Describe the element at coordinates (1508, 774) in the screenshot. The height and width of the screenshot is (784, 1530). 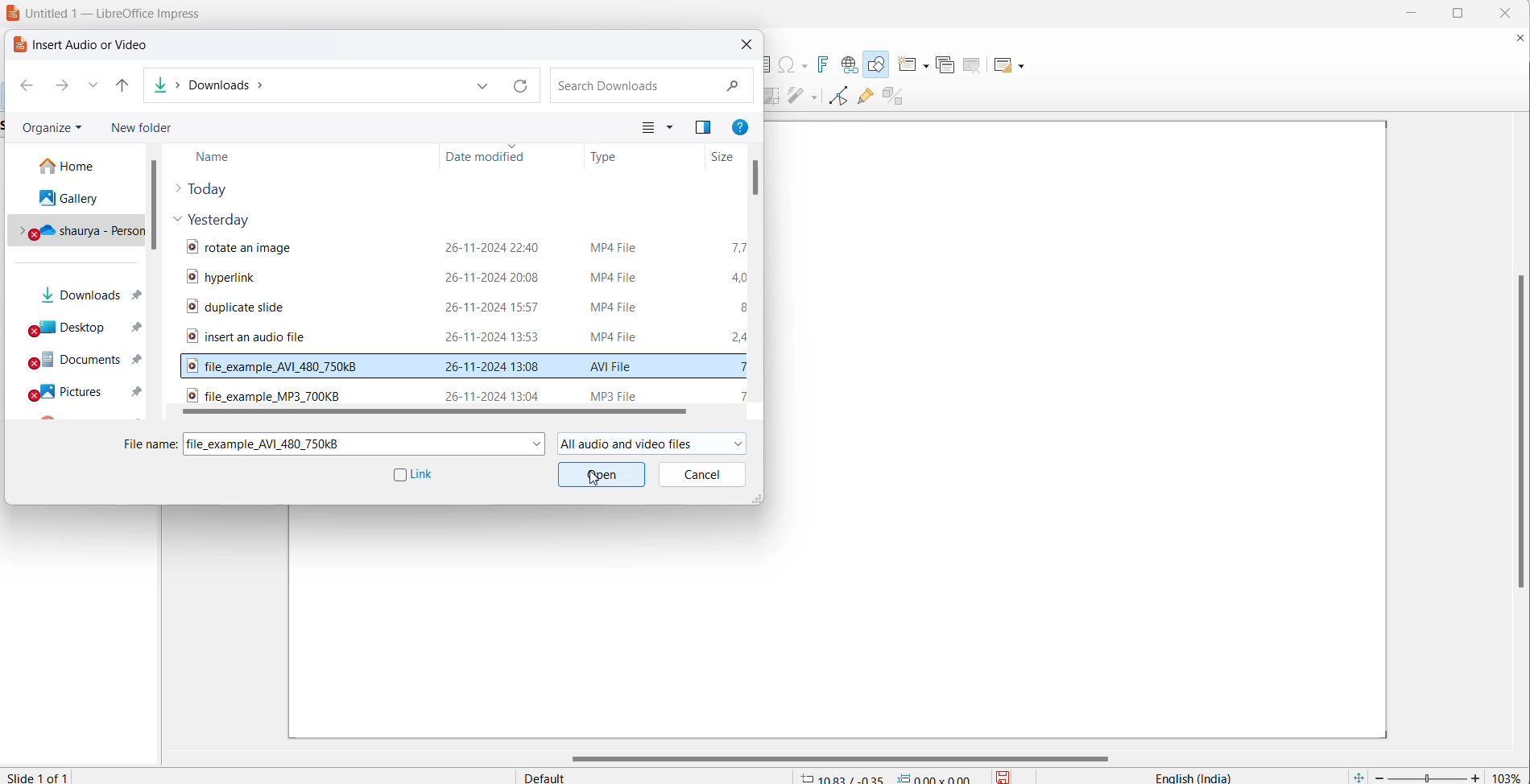
I see `zoom percentage` at that location.